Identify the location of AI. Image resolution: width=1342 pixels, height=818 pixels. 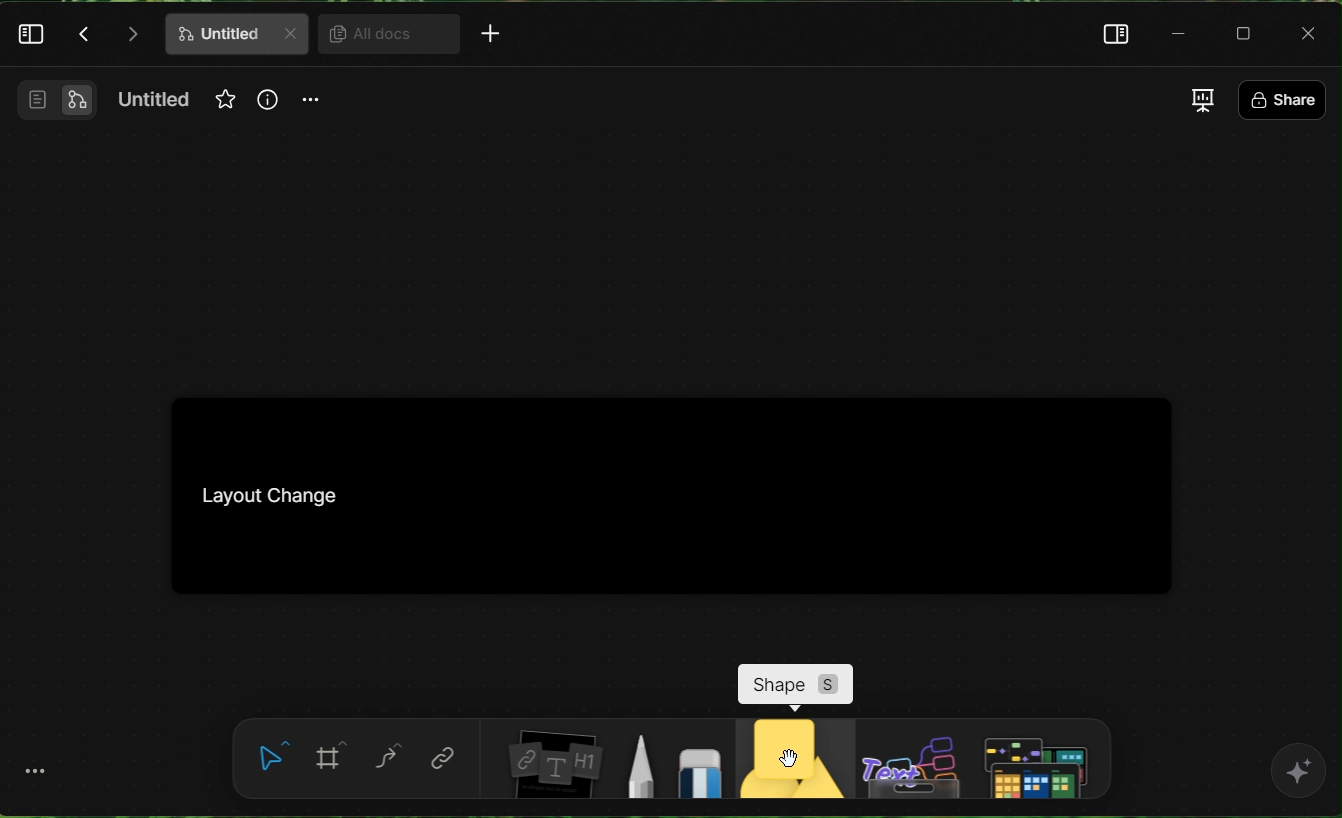
(1301, 772).